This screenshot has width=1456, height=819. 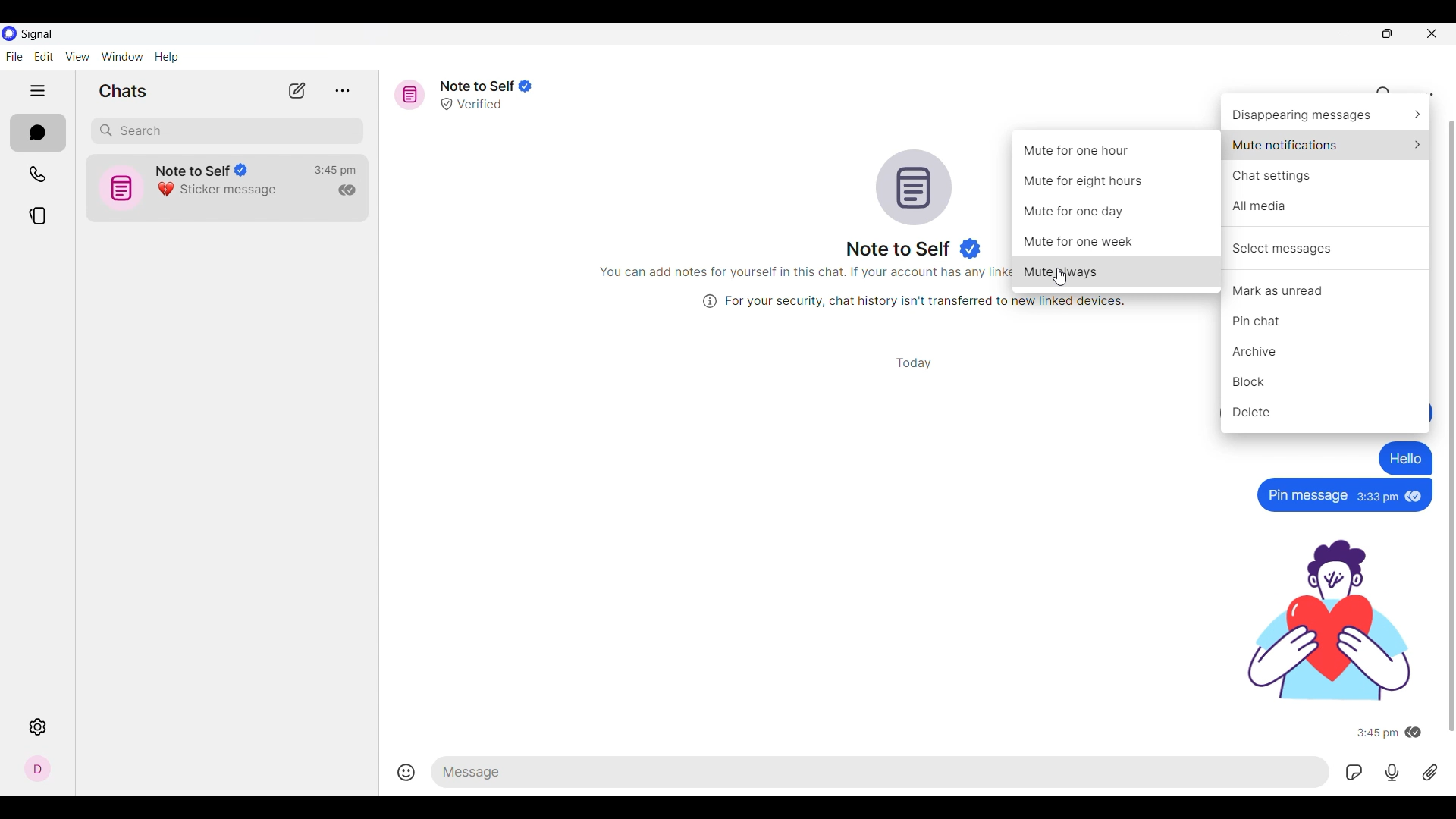 I want to click on All media, so click(x=1326, y=206).